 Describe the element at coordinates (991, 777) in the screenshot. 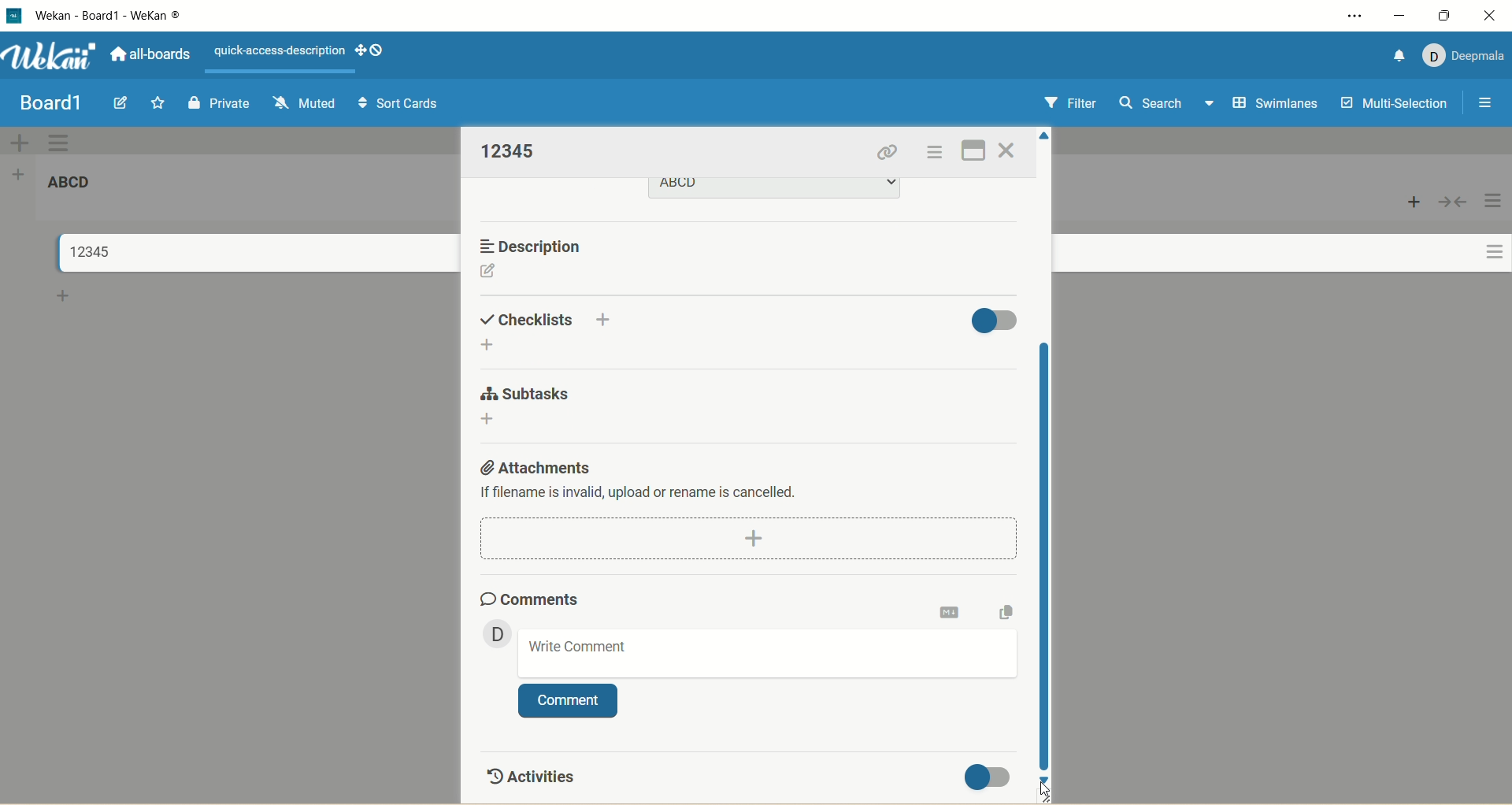

I see `toggle` at that location.